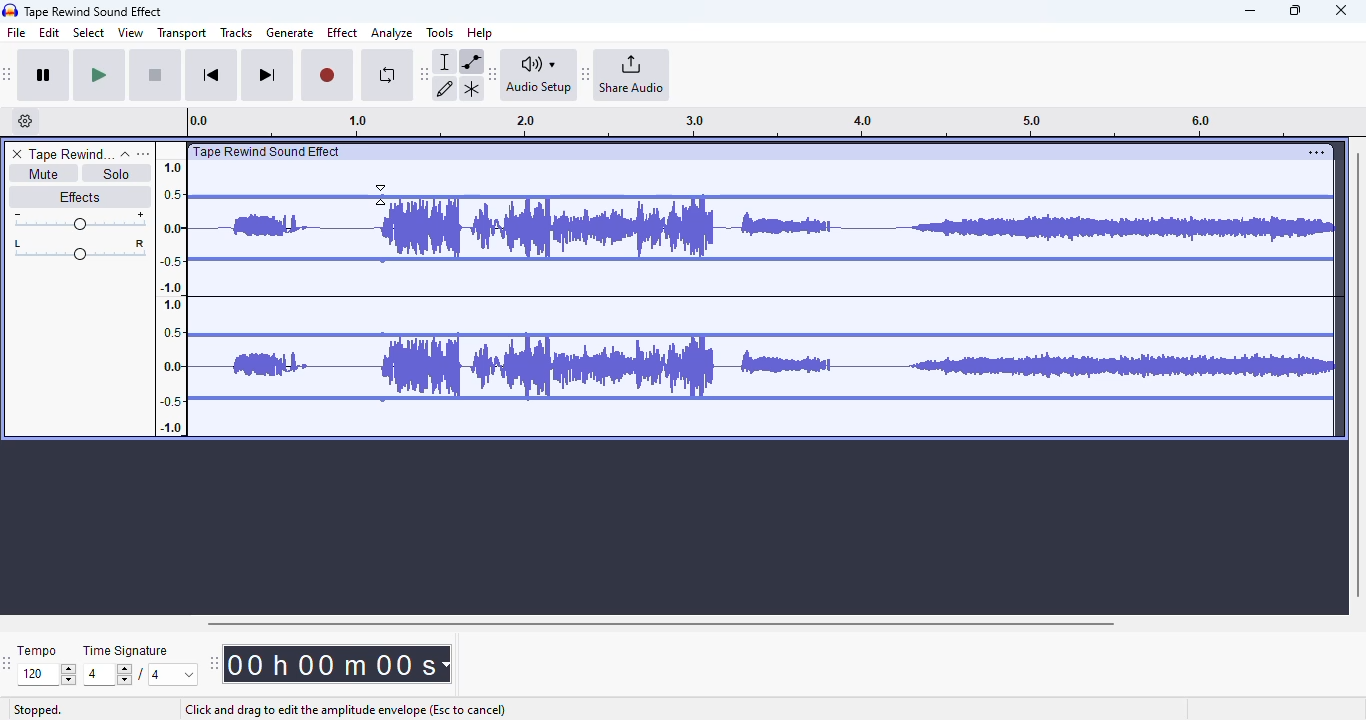  What do you see at coordinates (447, 61) in the screenshot?
I see `selection tool` at bounding box center [447, 61].